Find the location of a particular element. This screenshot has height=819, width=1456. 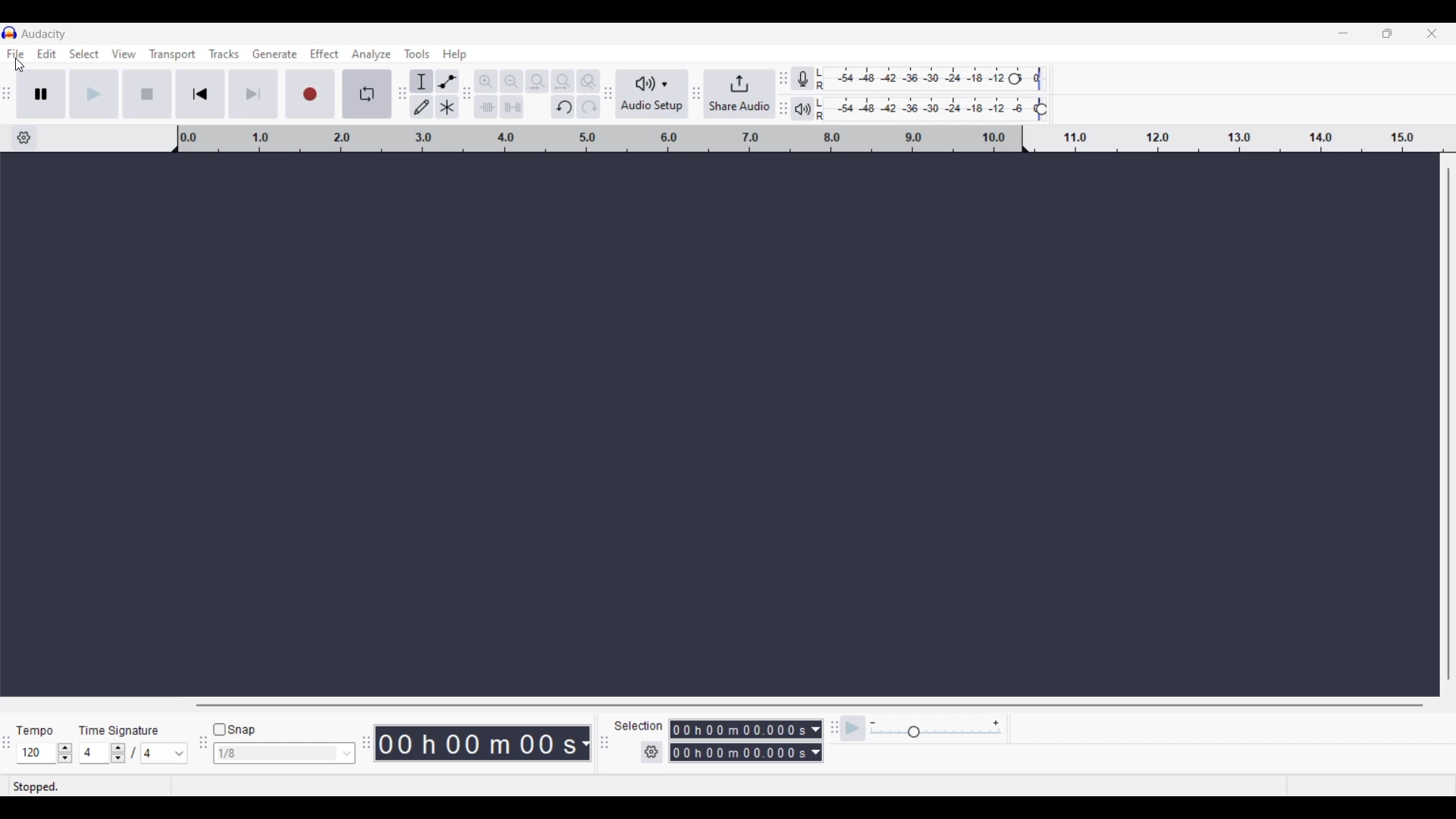

Fit project to width is located at coordinates (563, 82).